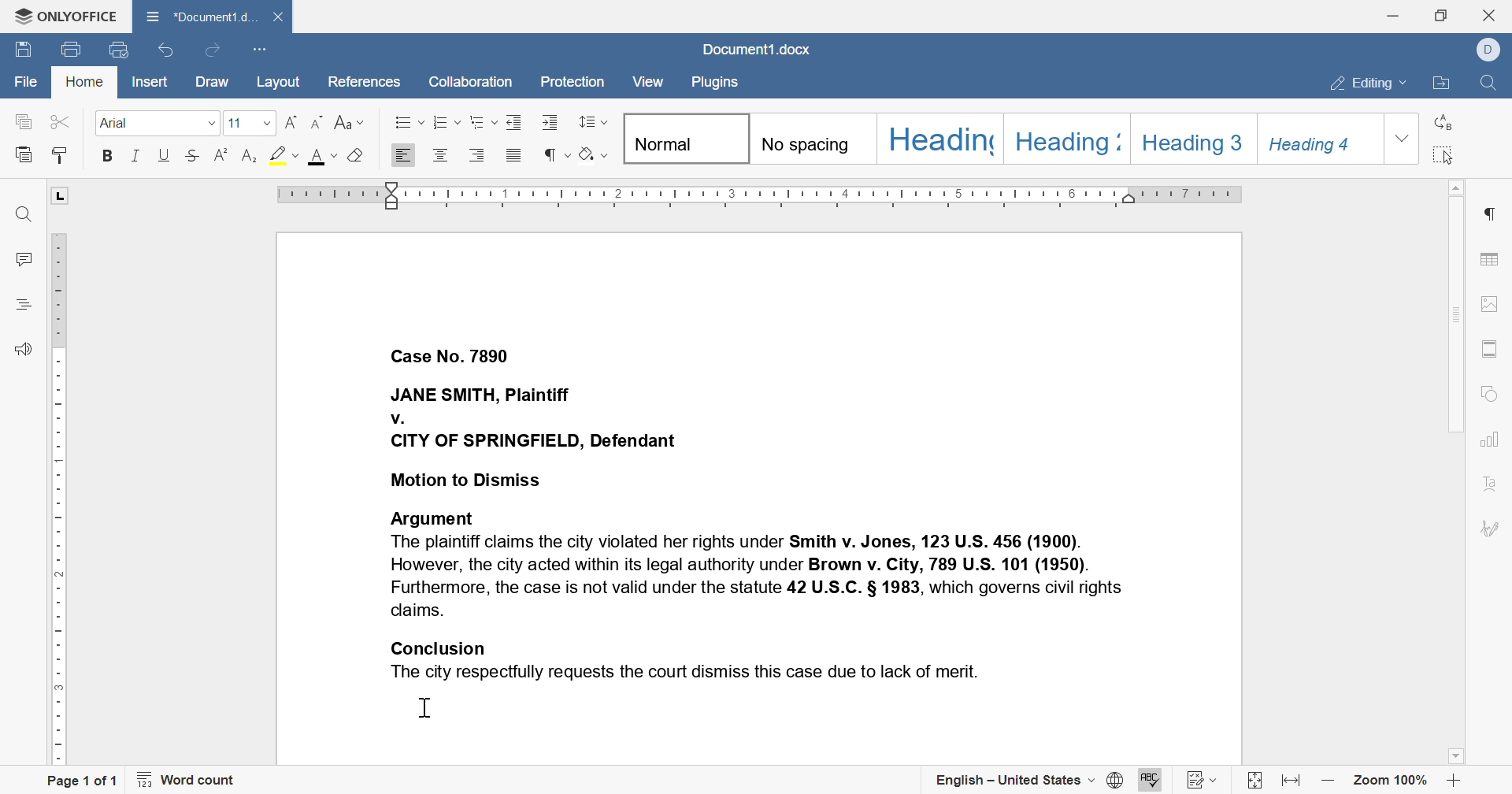  Describe the element at coordinates (594, 153) in the screenshot. I see `shading` at that location.